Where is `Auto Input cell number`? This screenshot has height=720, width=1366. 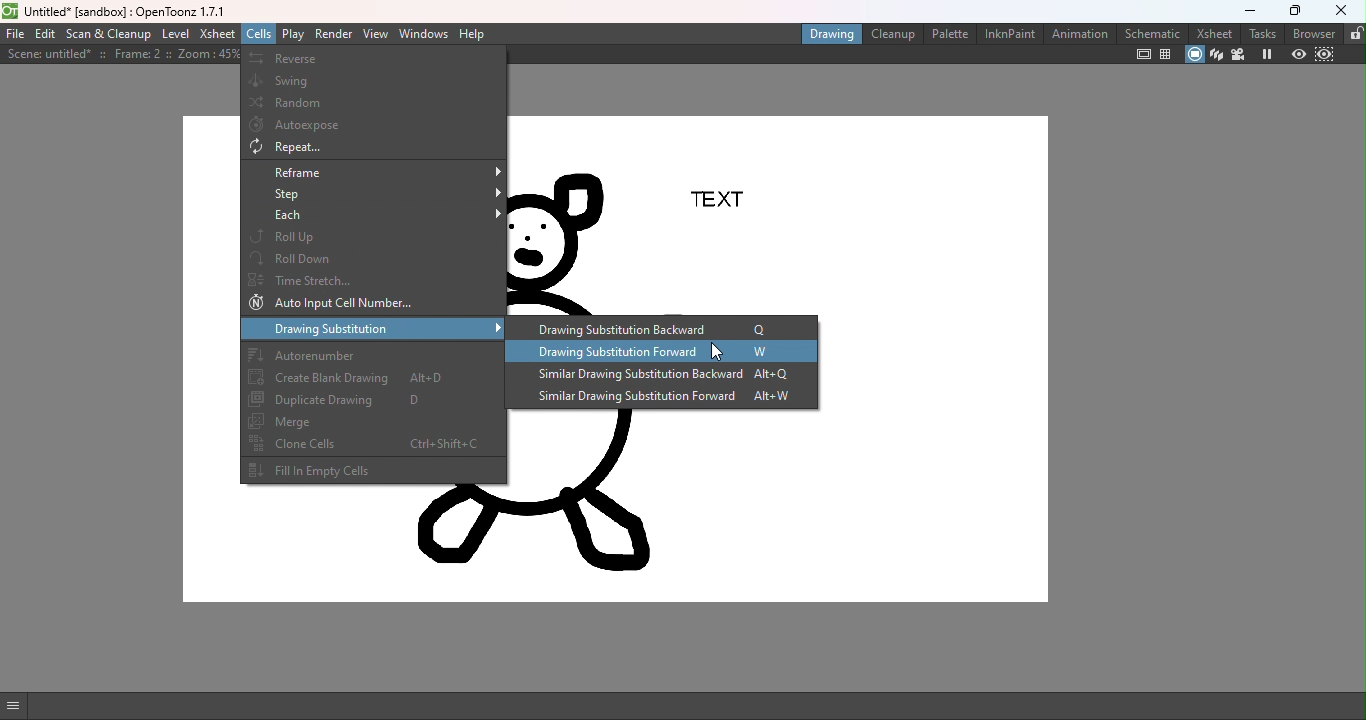
Auto Input cell number is located at coordinates (377, 306).